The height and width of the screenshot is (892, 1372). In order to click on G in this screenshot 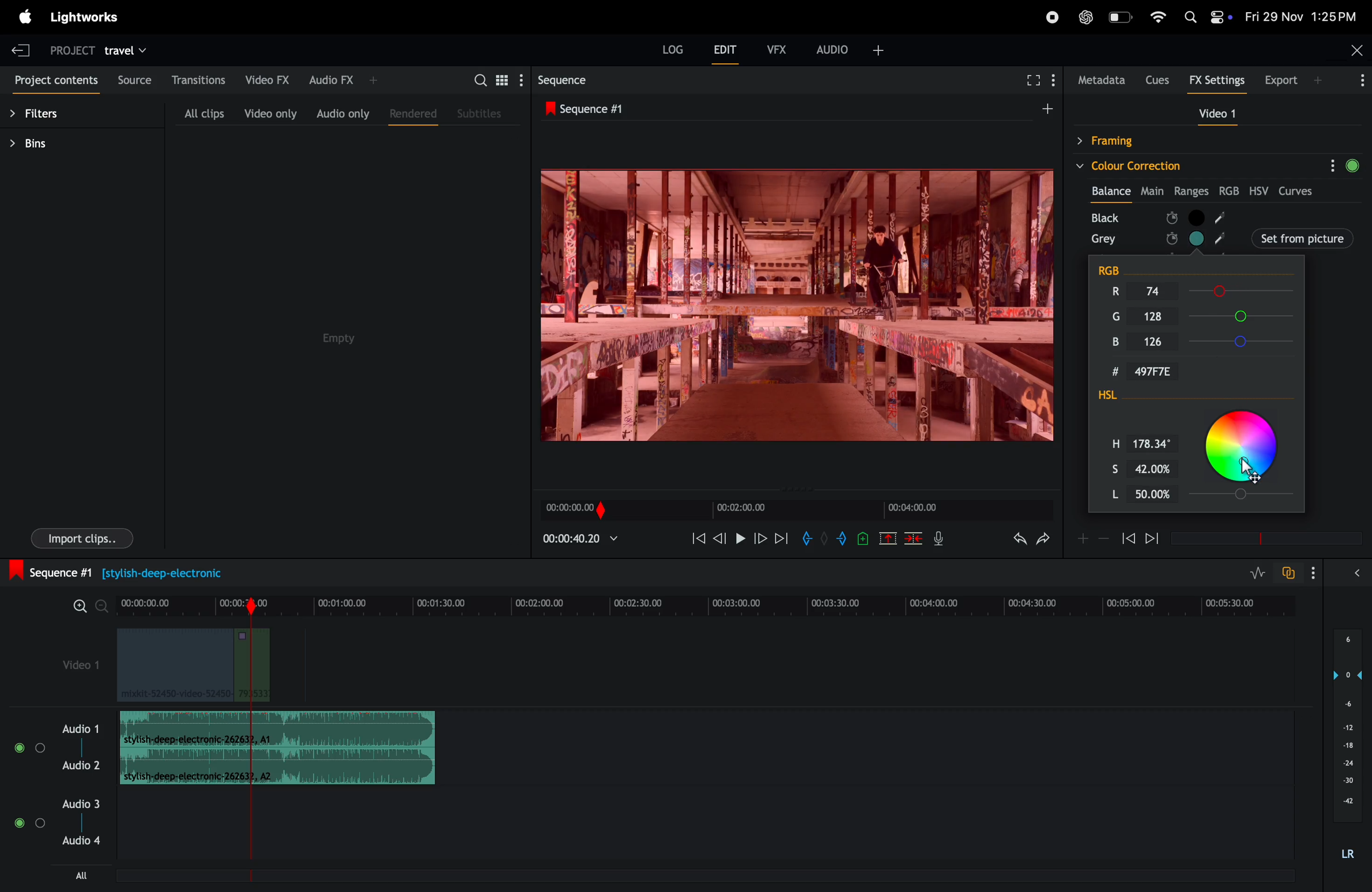, I will do `click(1111, 314)`.